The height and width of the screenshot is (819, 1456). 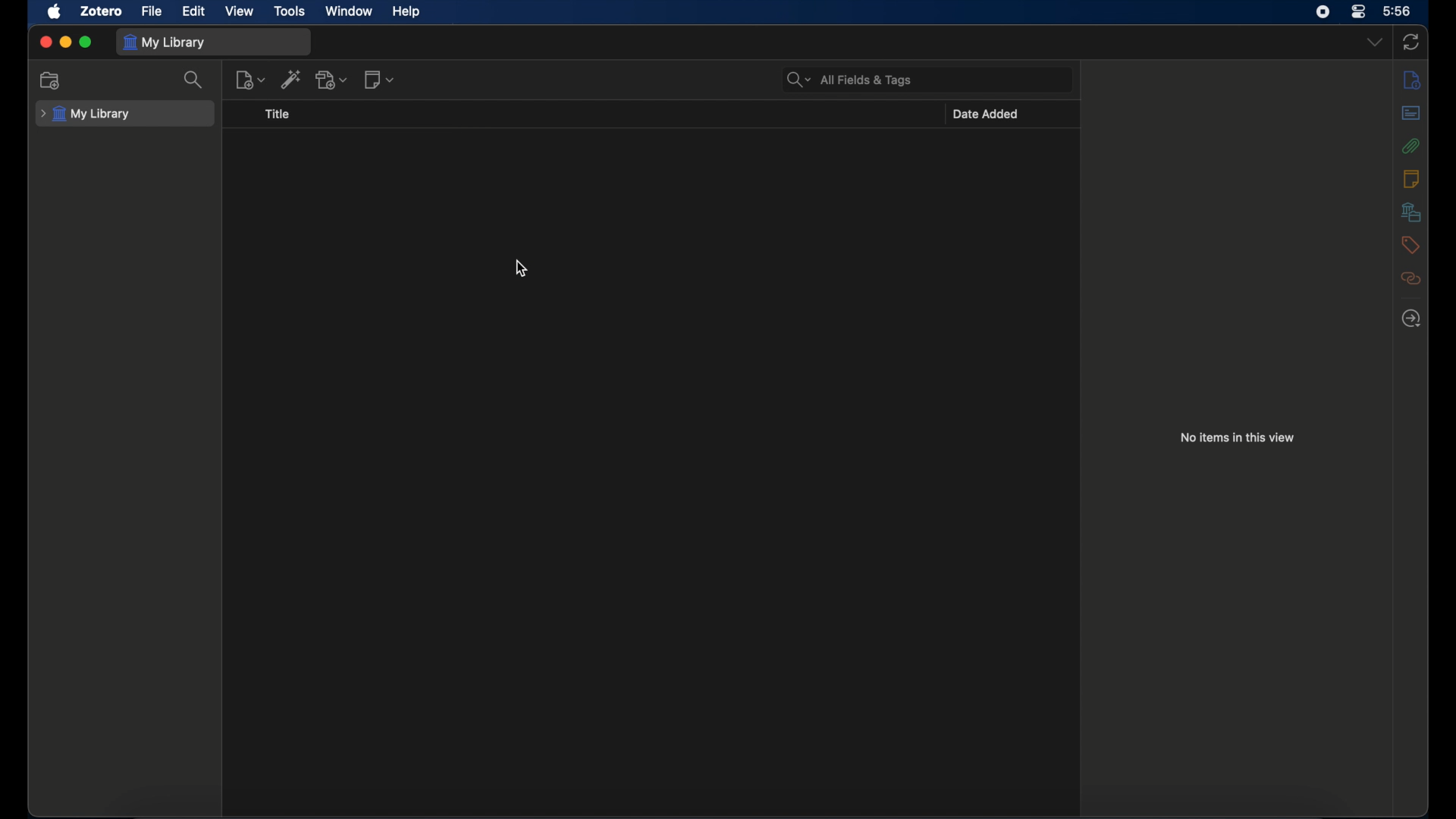 I want to click on tools, so click(x=290, y=11).